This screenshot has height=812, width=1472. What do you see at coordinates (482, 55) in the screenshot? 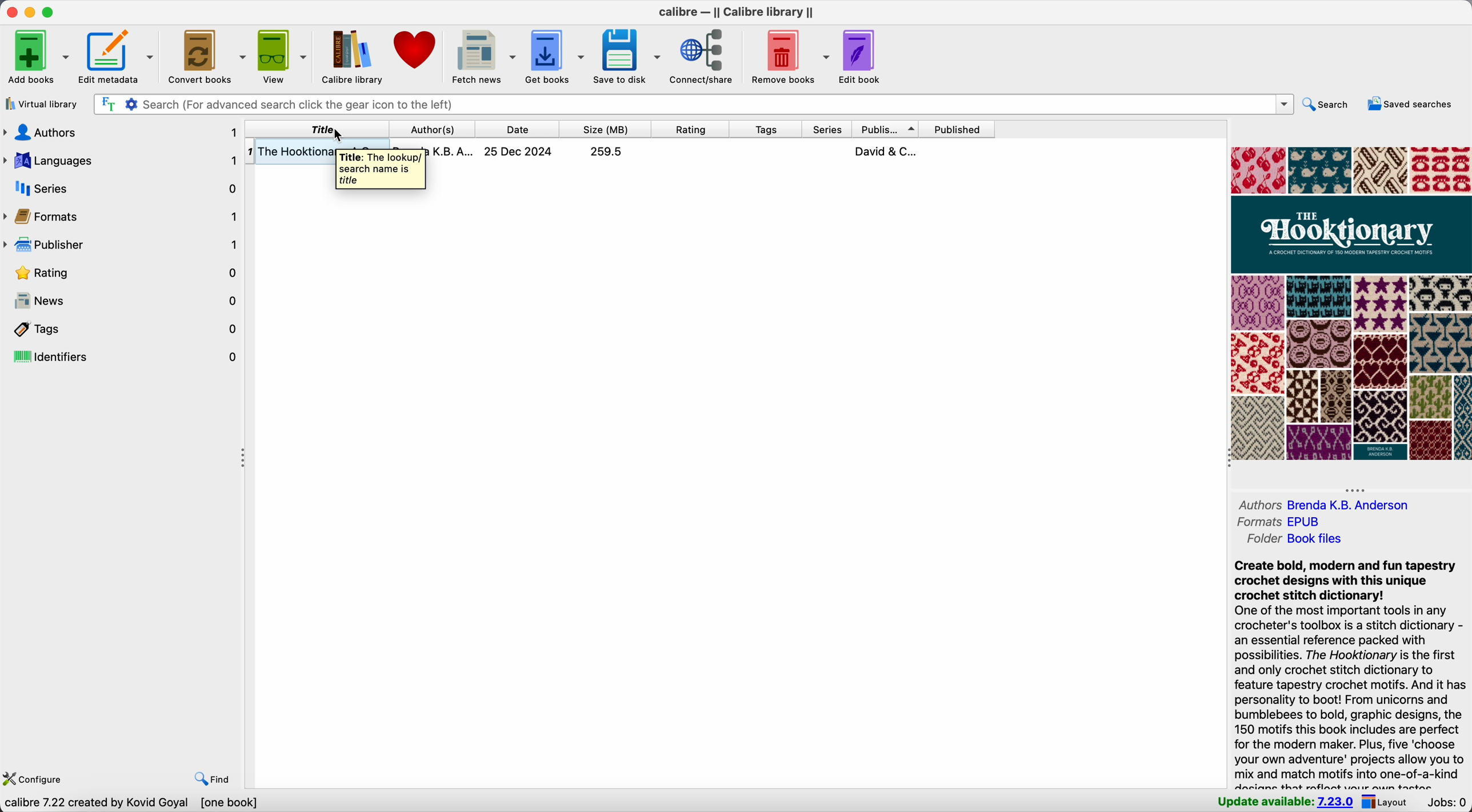
I see `fetch news` at bounding box center [482, 55].